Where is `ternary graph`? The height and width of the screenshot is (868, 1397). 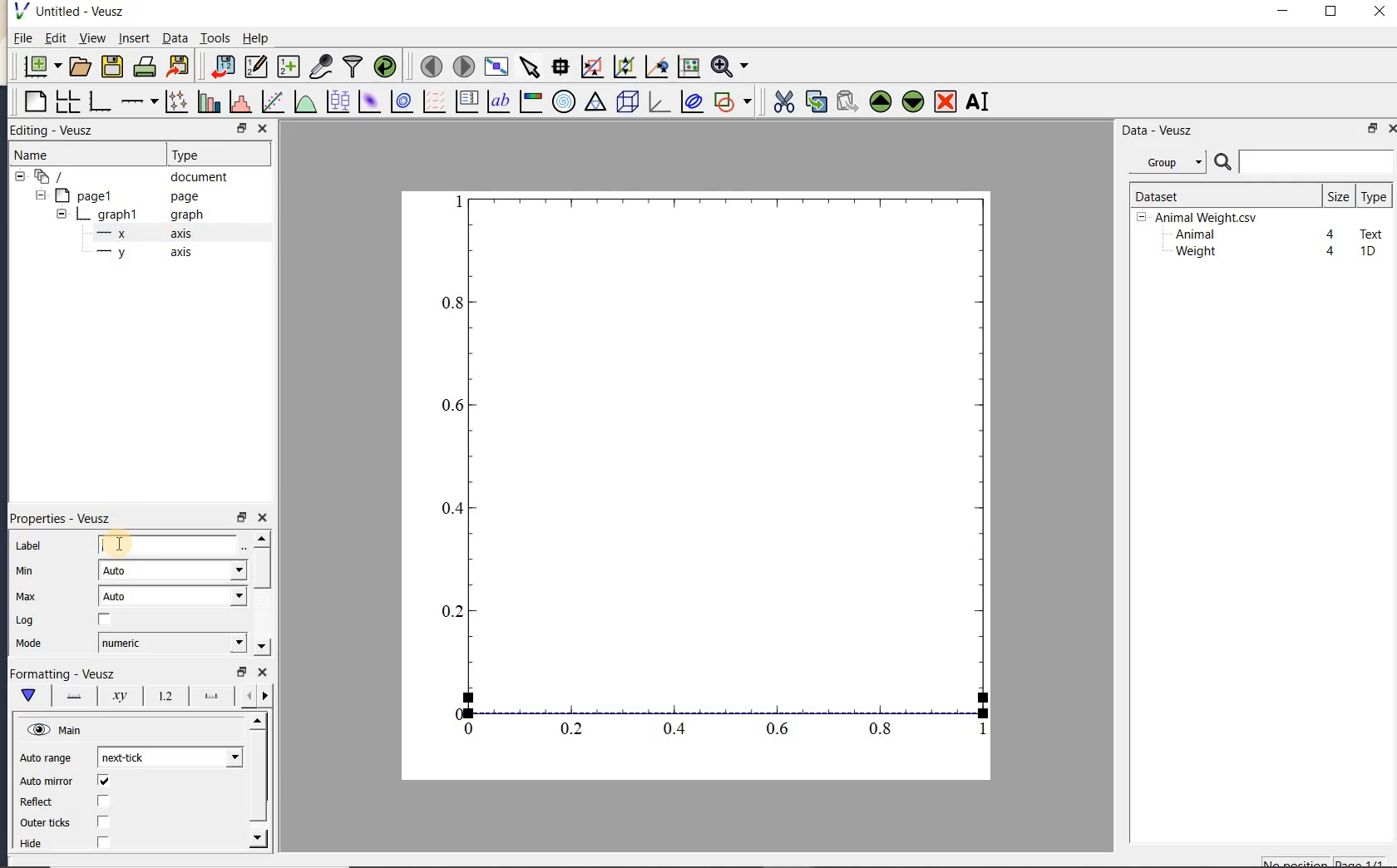 ternary graph is located at coordinates (595, 104).